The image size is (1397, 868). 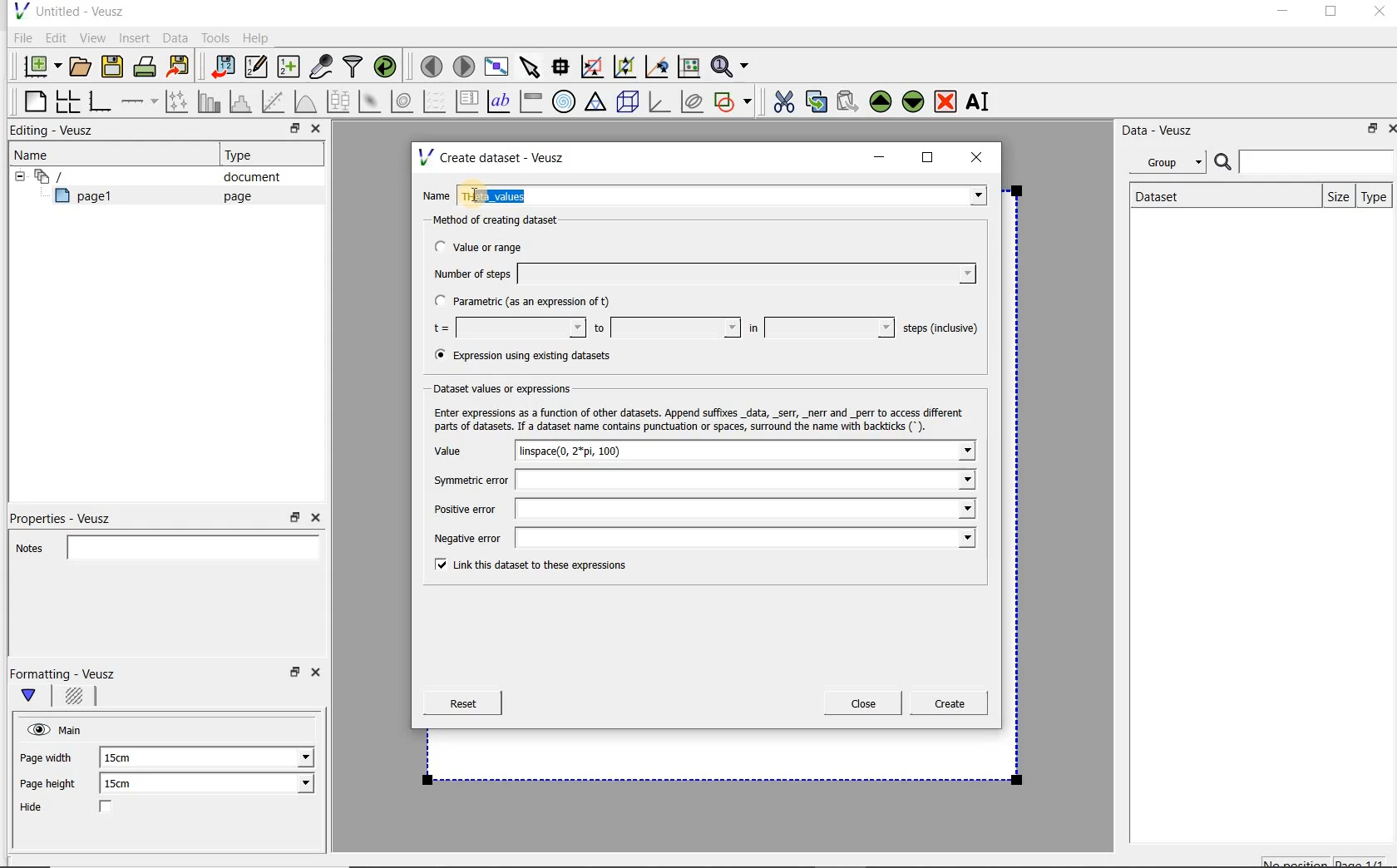 What do you see at coordinates (881, 101) in the screenshot?
I see `Move the selected widget up` at bounding box center [881, 101].